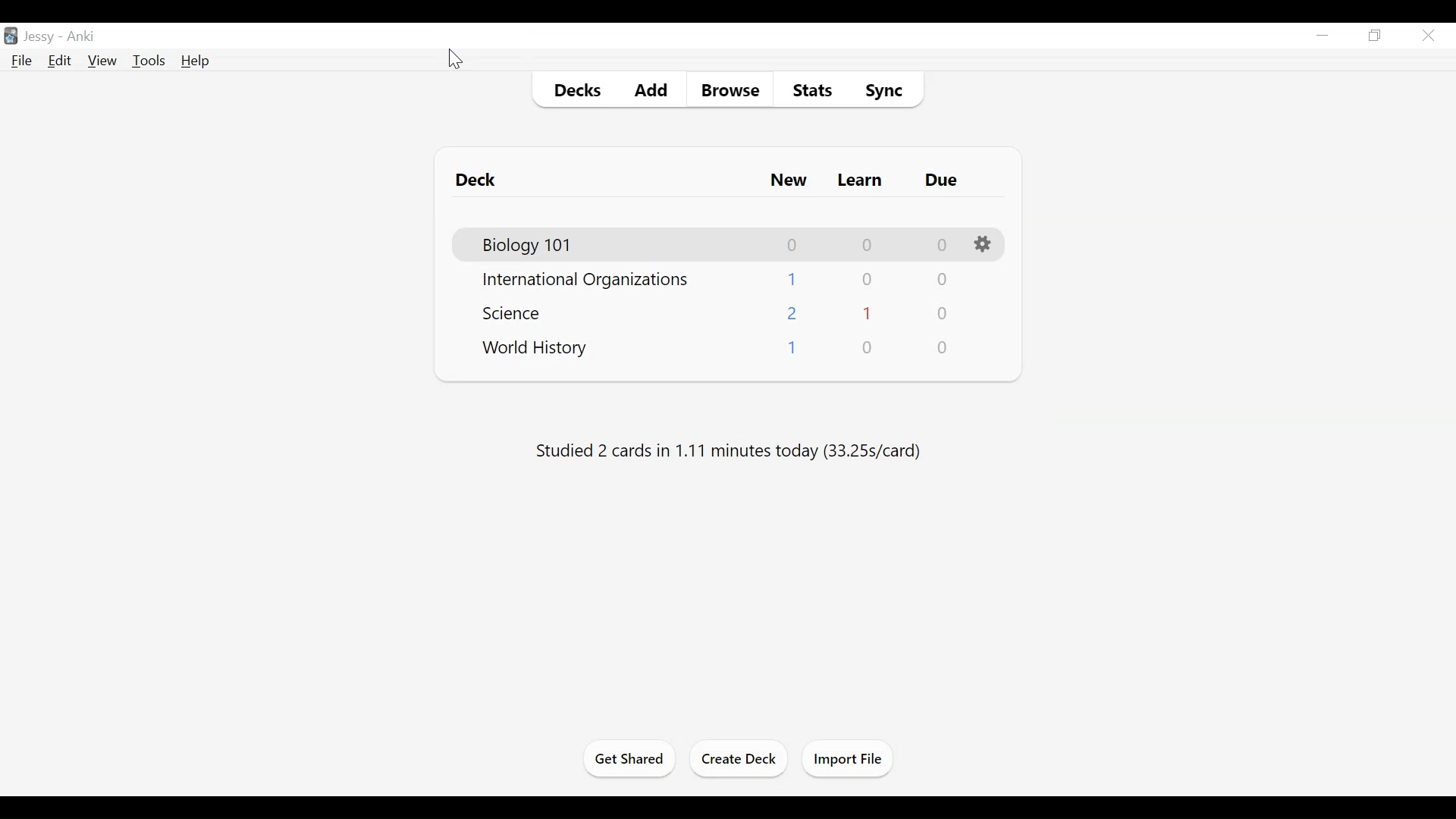  I want to click on Restore, so click(1375, 36).